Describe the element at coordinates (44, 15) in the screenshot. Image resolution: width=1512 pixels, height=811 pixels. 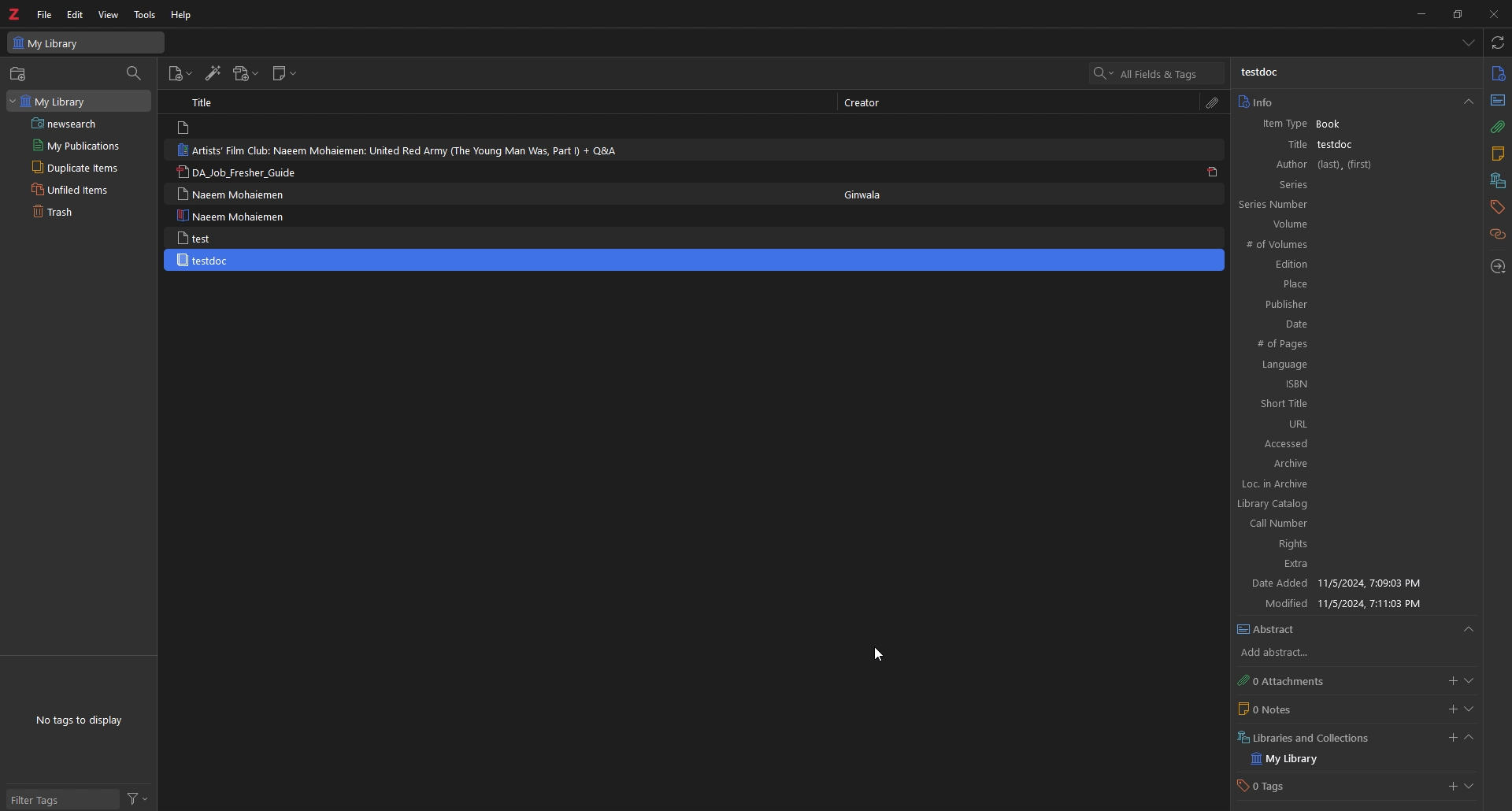
I see `file` at that location.